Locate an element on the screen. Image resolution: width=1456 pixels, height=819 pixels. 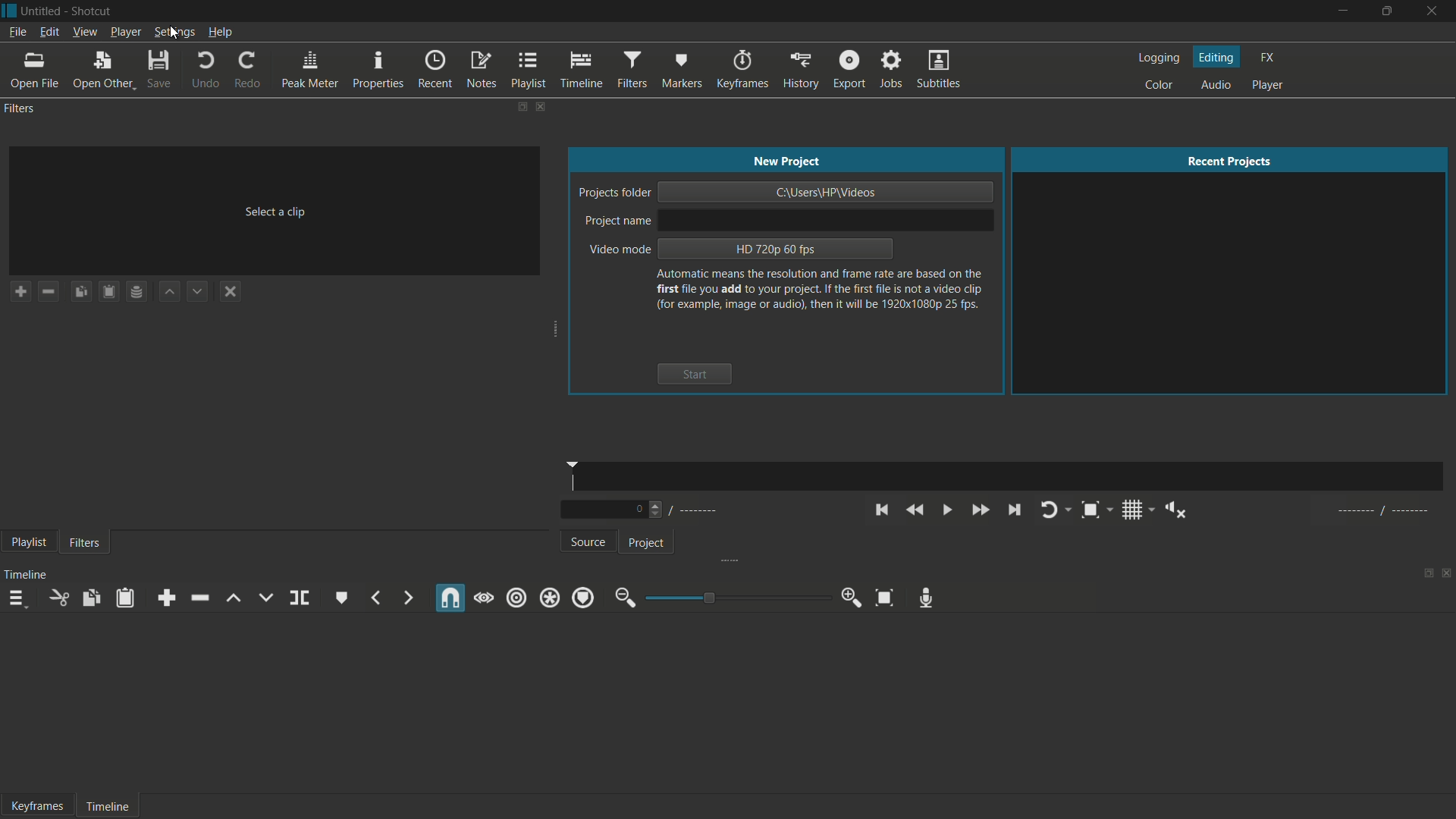
project name is located at coordinates (44, 9).